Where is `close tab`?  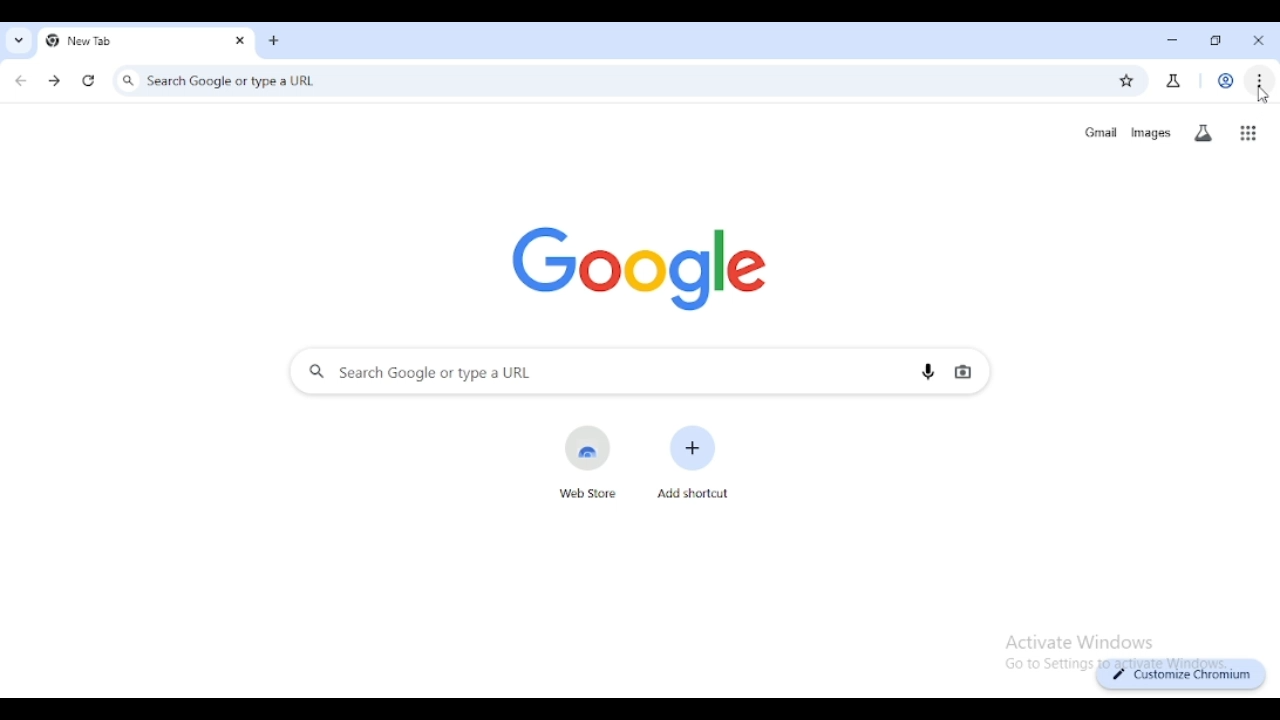
close tab is located at coordinates (240, 41).